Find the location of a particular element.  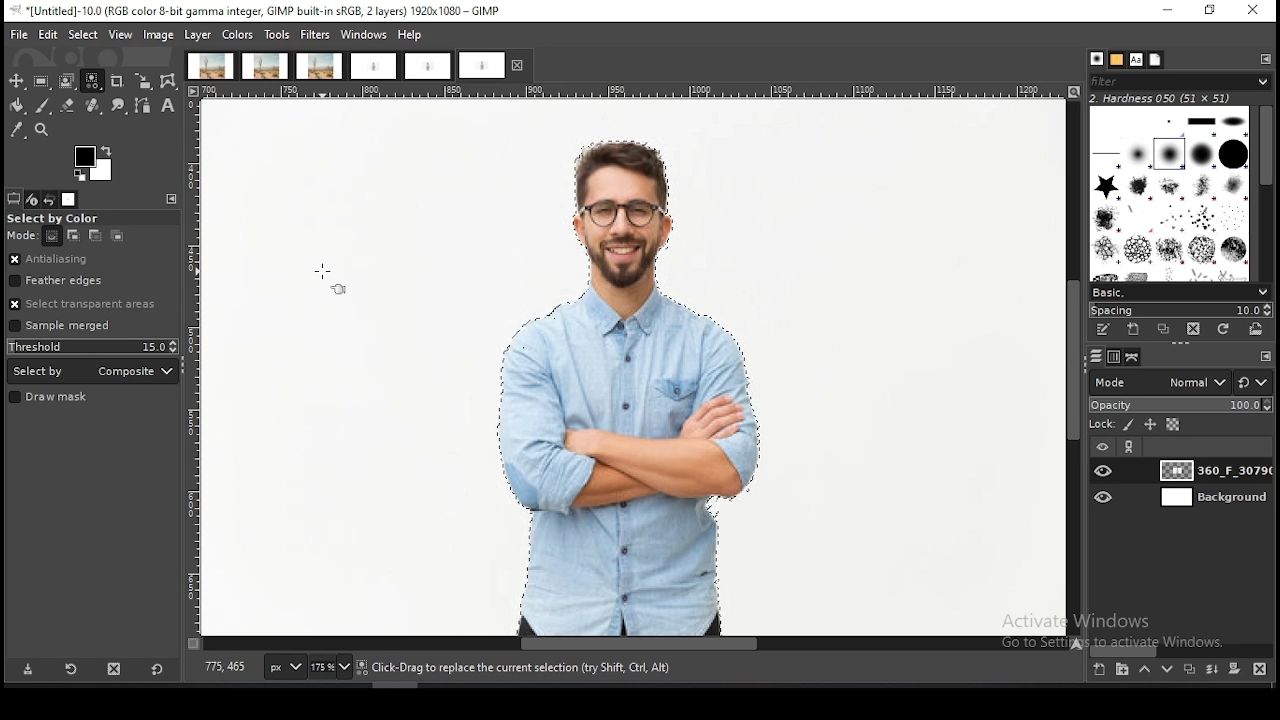

create a new brush is located at coordinates (1134, 330).